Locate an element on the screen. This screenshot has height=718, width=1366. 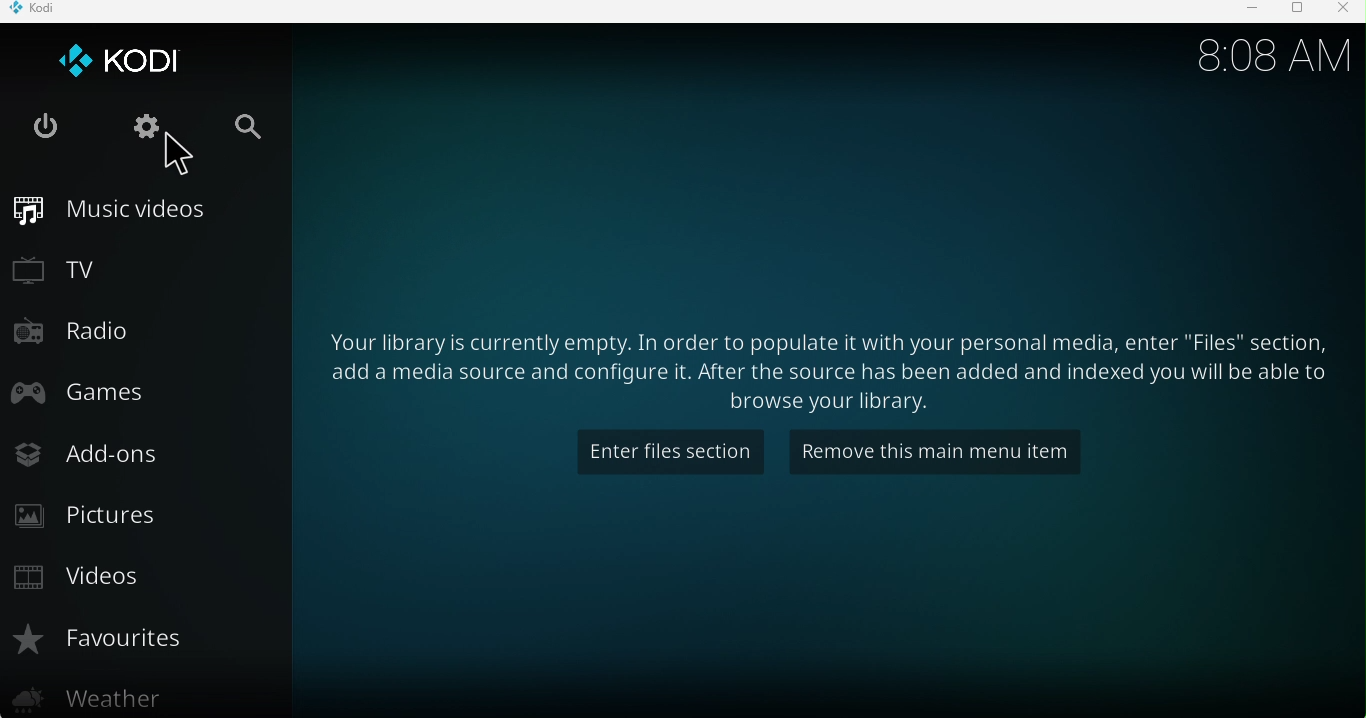
Your library is currently empty. In order to populate it with your personal media, enter "Files" section, add a media source and configure it. After the source has been added and indexed you will be able yo browse your library. is located at coordinates (816, 366).